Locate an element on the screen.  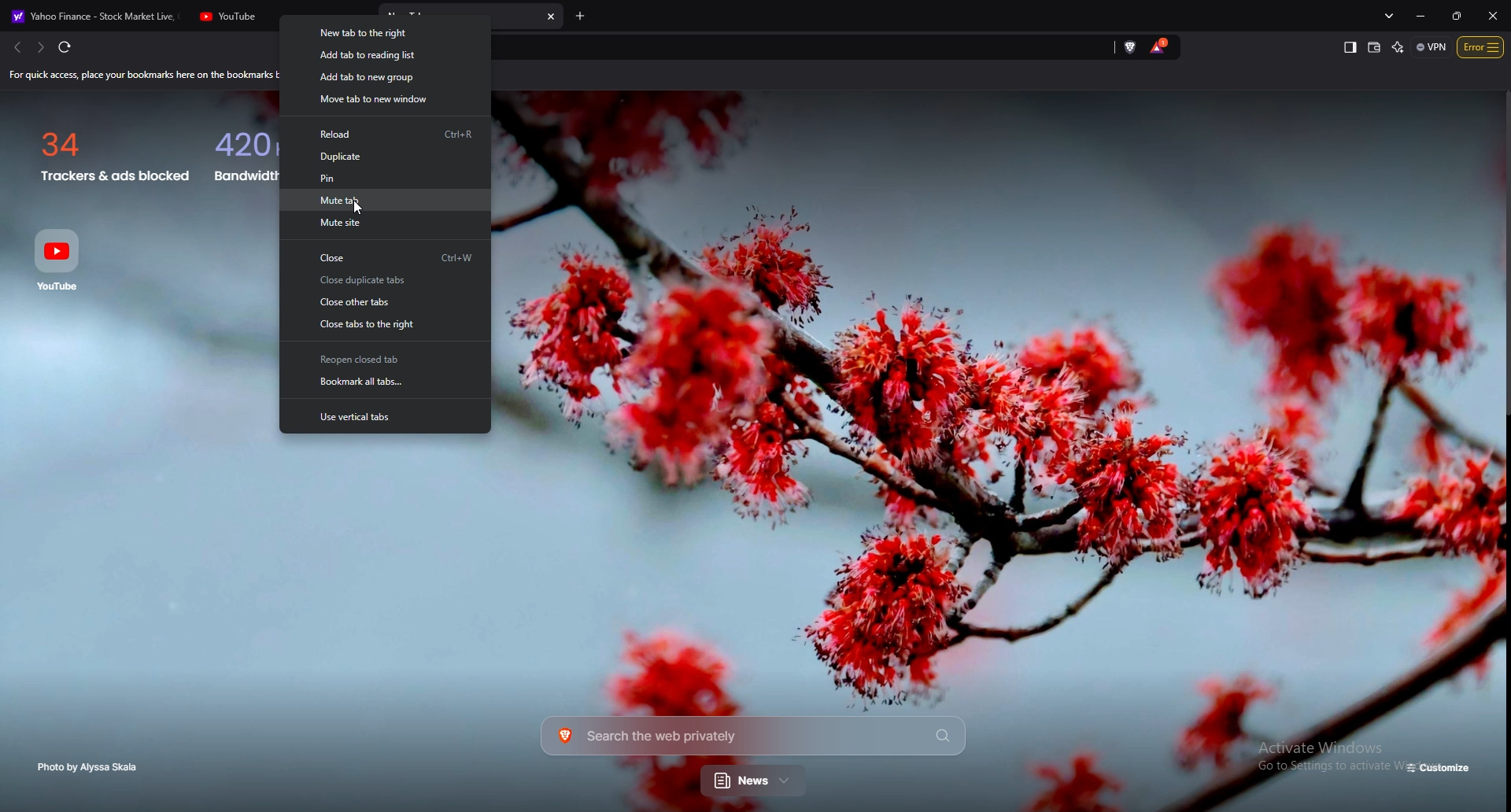
resize is located at coordinates (1455, 15).